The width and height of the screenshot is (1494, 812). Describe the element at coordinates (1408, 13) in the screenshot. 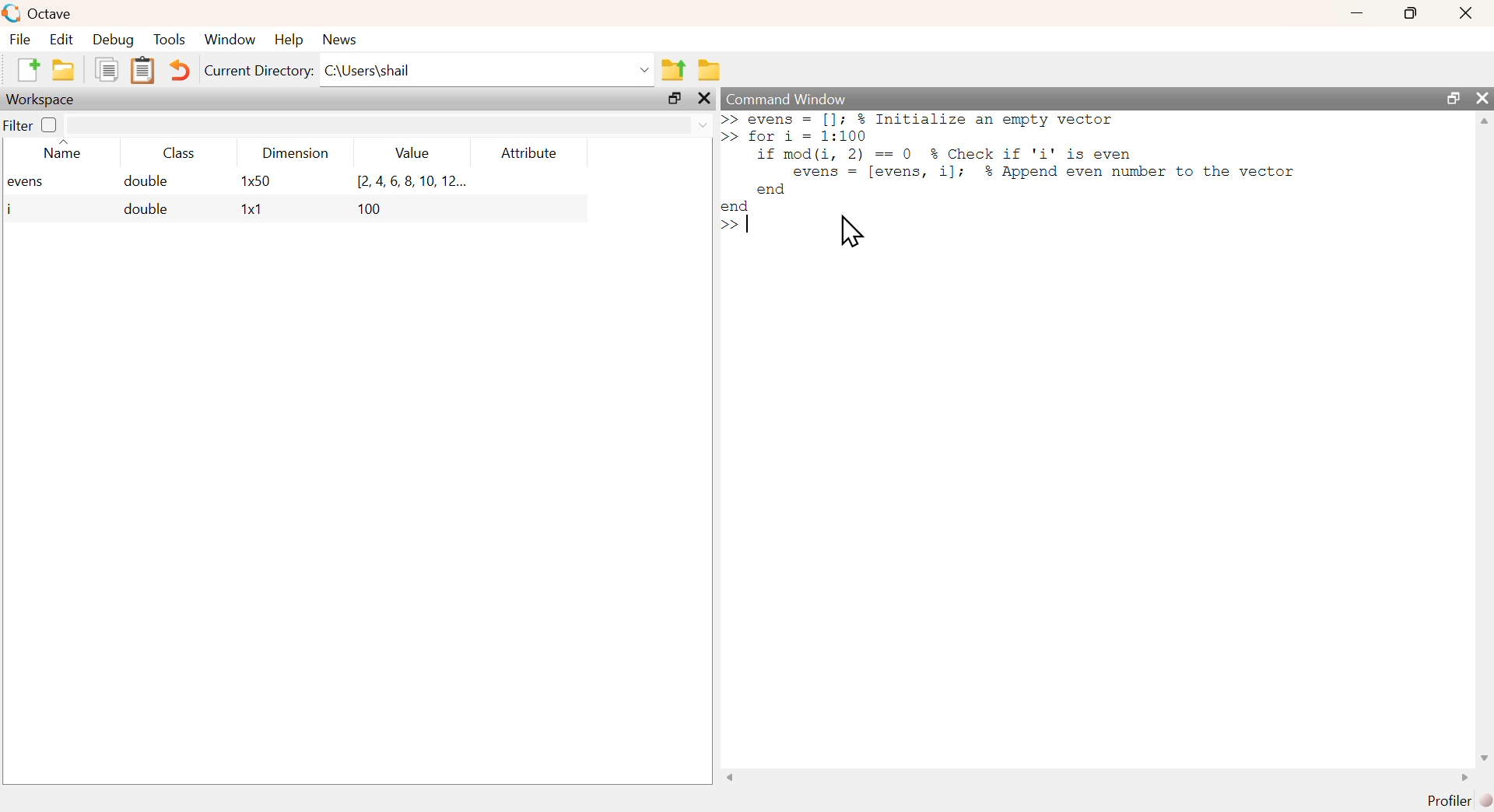

I see `maximize` at that location.